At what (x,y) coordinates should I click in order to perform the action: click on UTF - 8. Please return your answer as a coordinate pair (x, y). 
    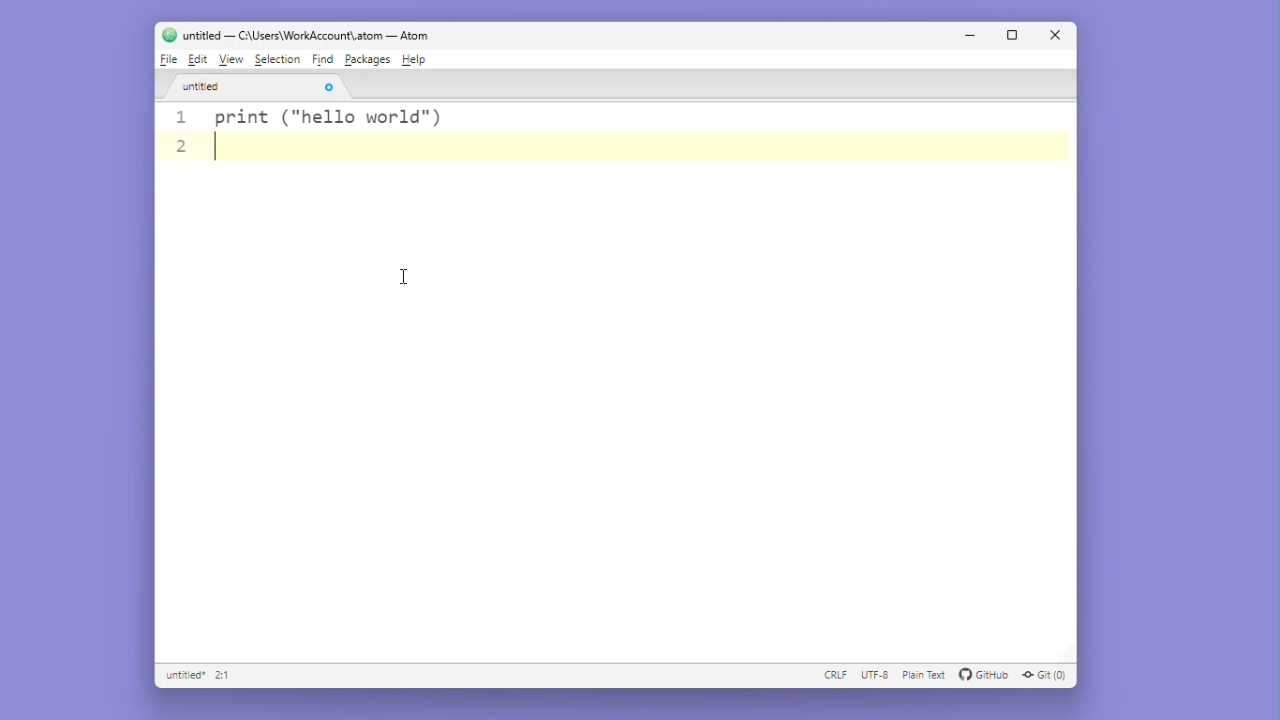
    Looking at the image, I should click on (875, 676).